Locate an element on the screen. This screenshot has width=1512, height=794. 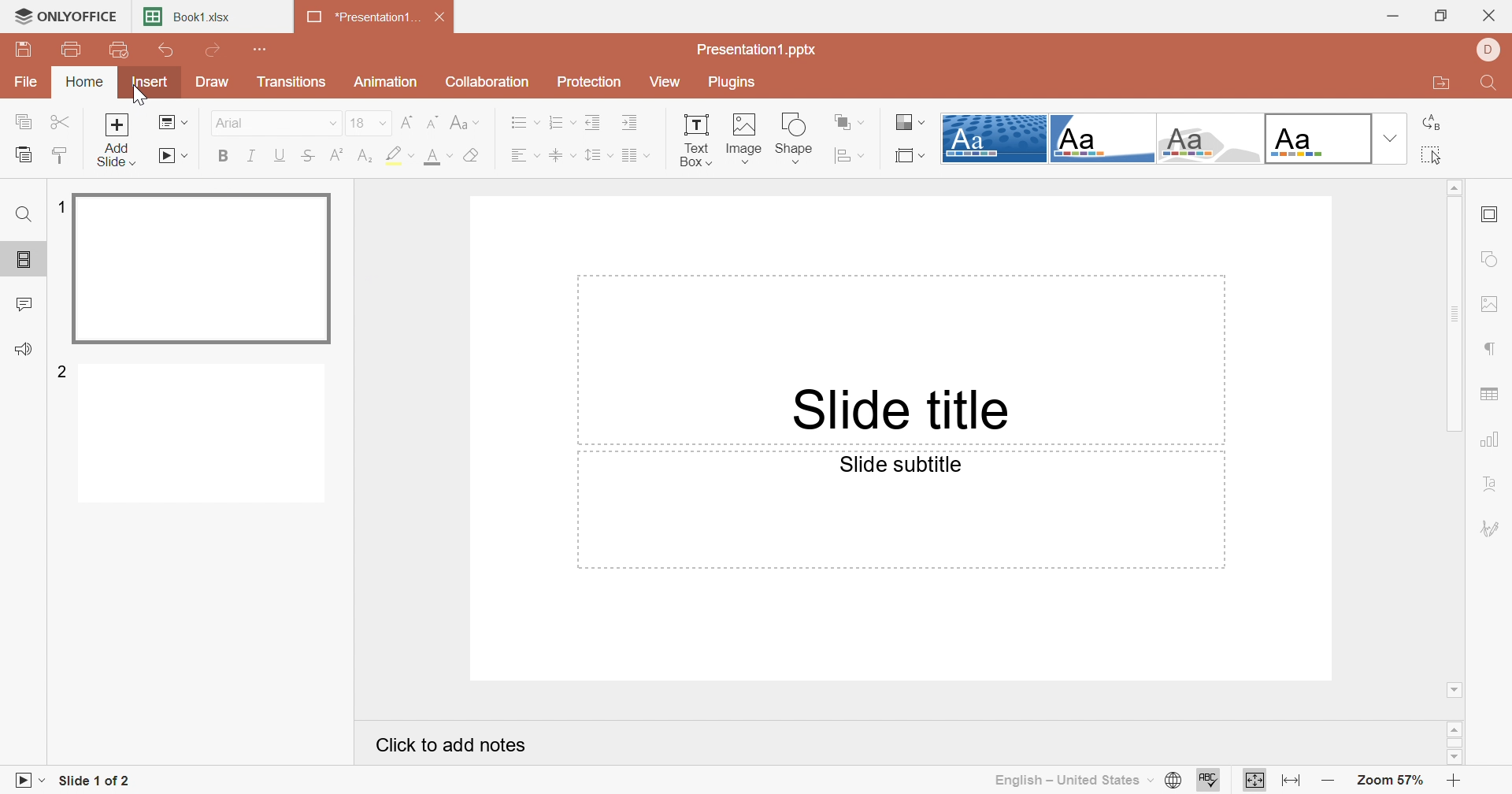
Scroll Up is located at coordinates (1454, 185).